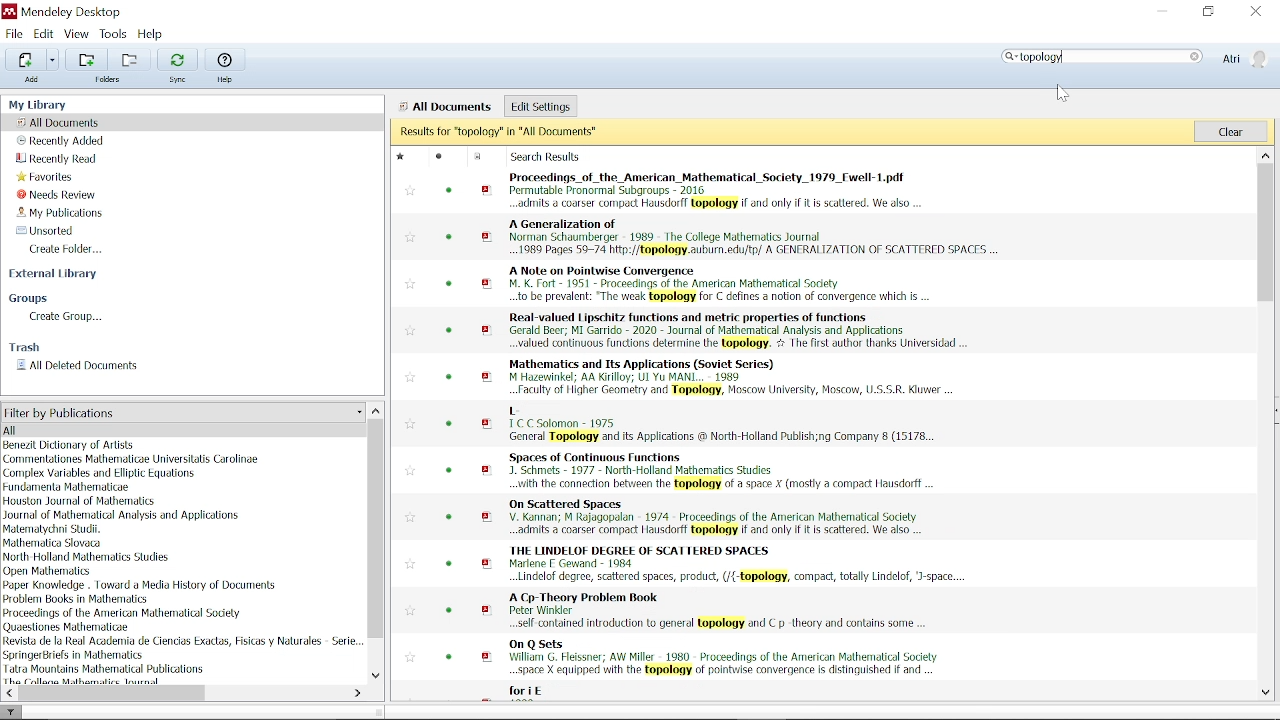 This screenshot has height=720, width=1280. Describe the element at coordinates (177, 59) in the screenshot. I see `Sync` at that location.